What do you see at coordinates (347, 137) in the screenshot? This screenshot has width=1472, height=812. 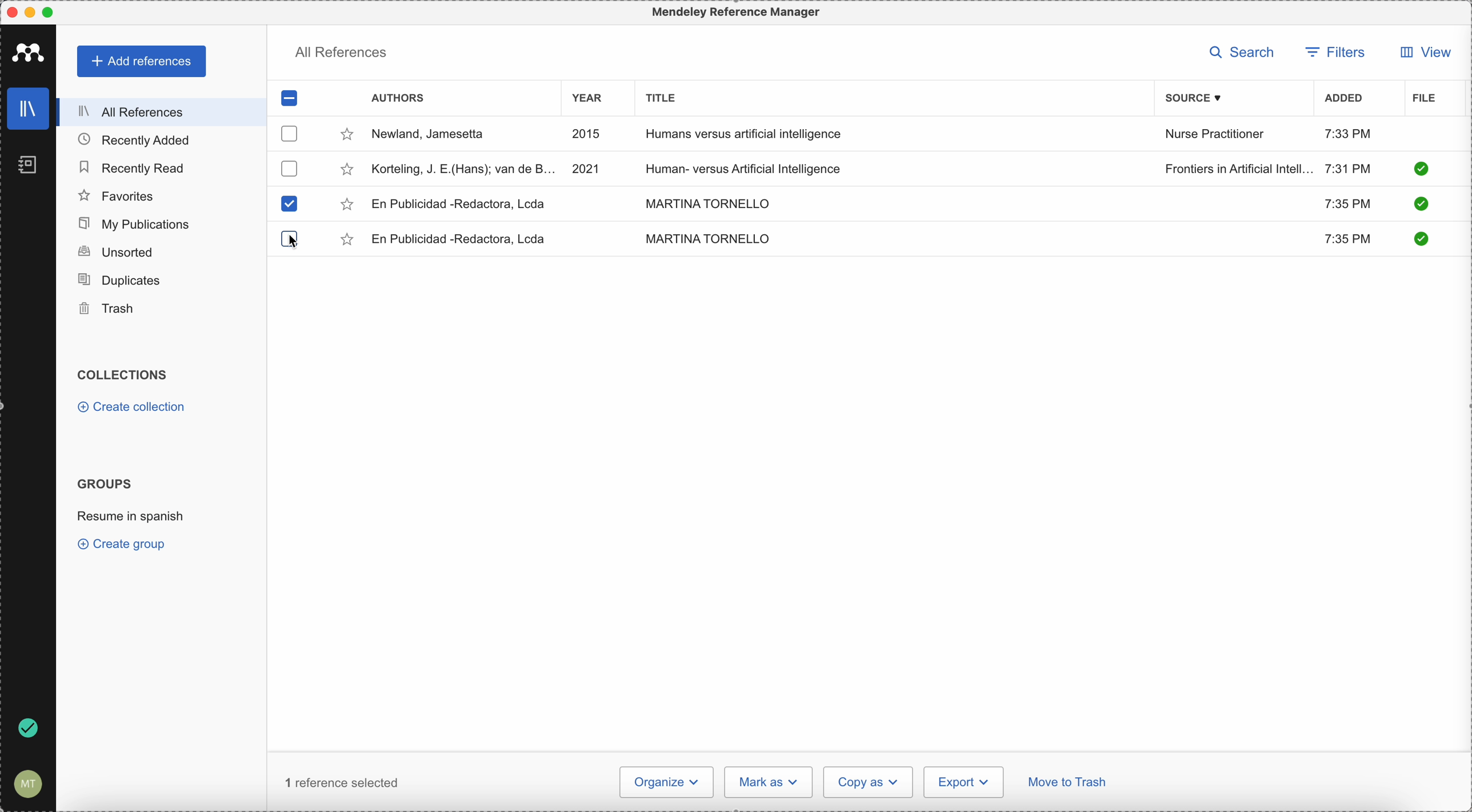 I see `favorite` at bounding box center [347, 137].